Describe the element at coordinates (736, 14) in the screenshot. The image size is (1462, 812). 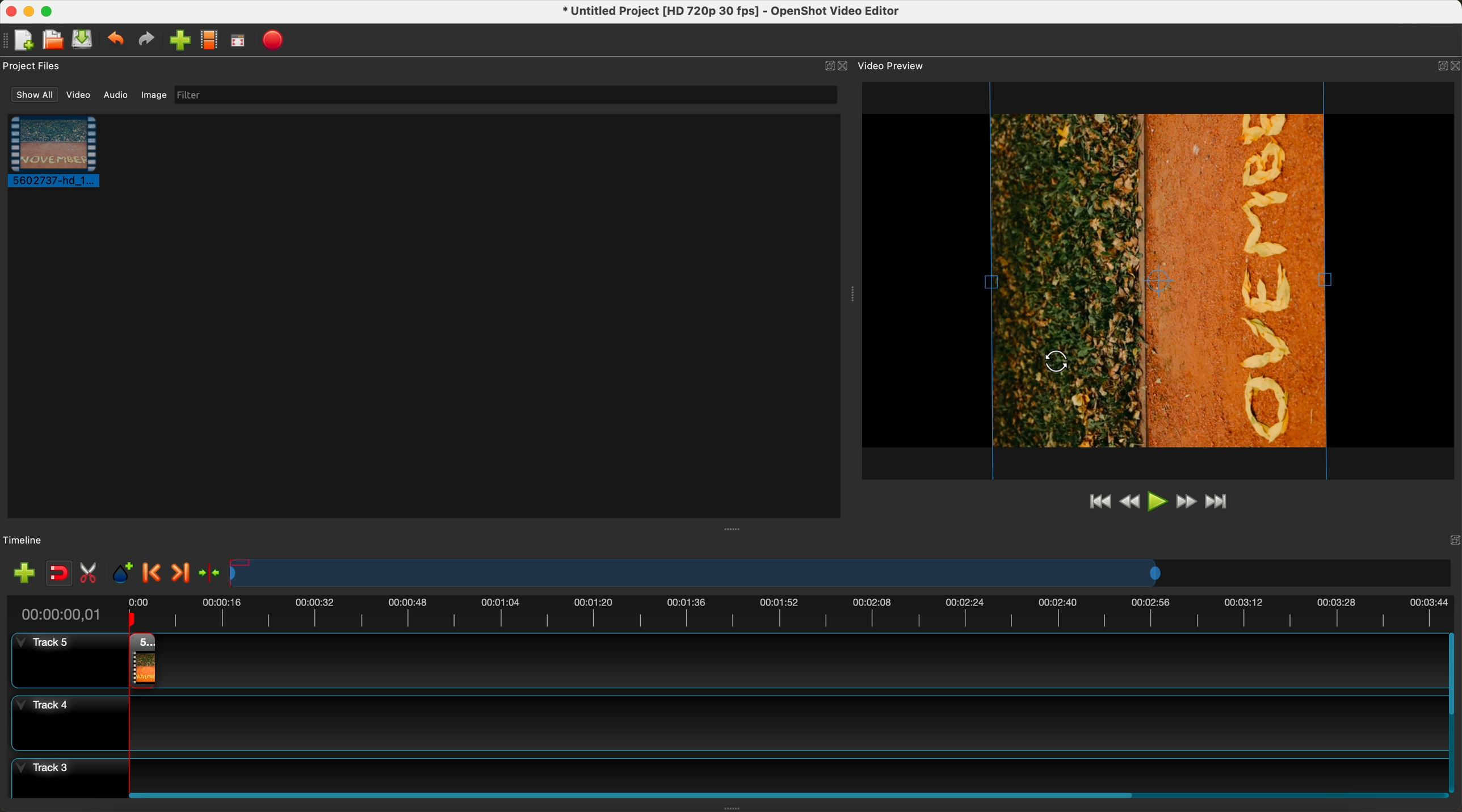
I see `file name` at that location.